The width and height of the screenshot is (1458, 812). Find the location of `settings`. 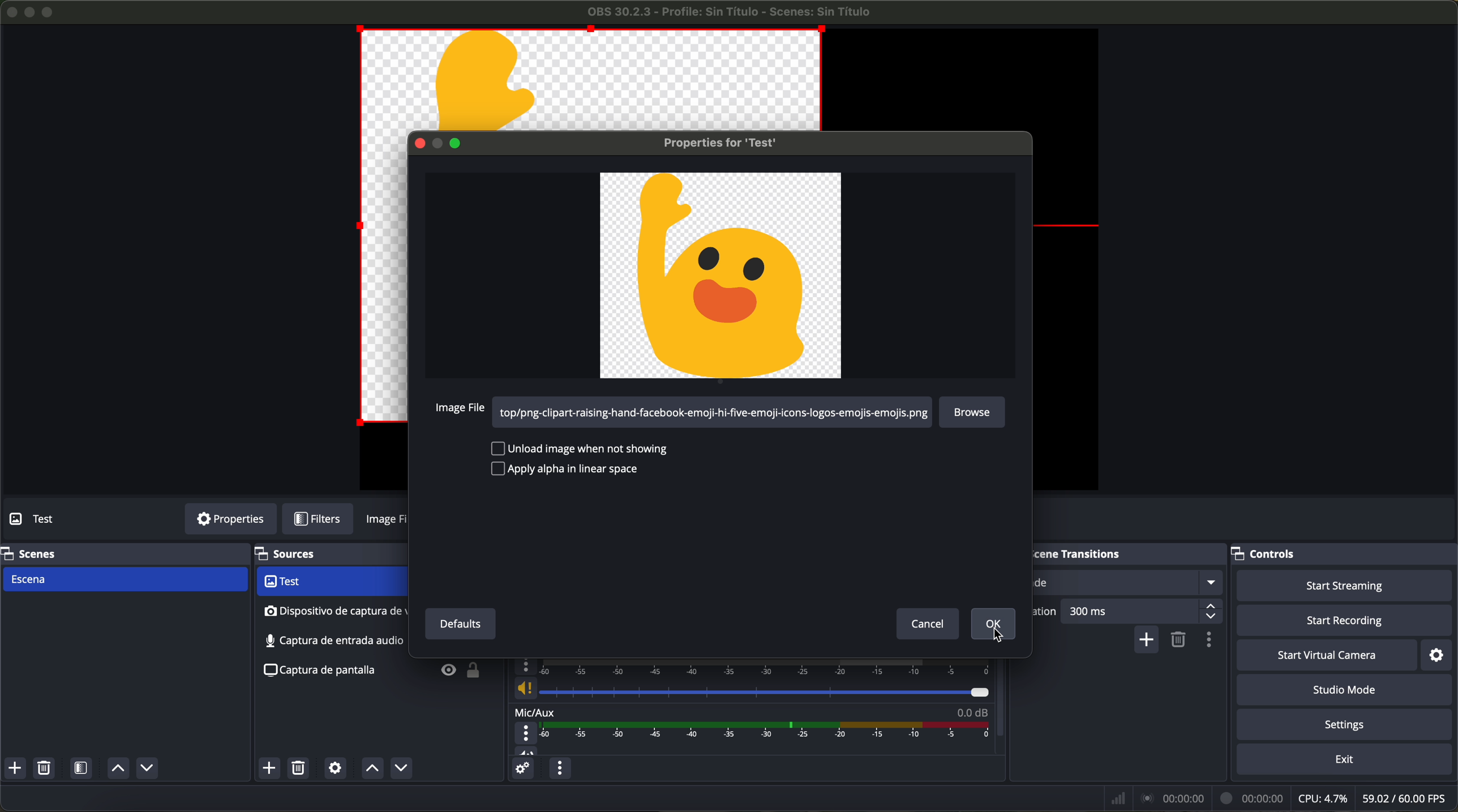

settings is located at coordinates (1348, 725).